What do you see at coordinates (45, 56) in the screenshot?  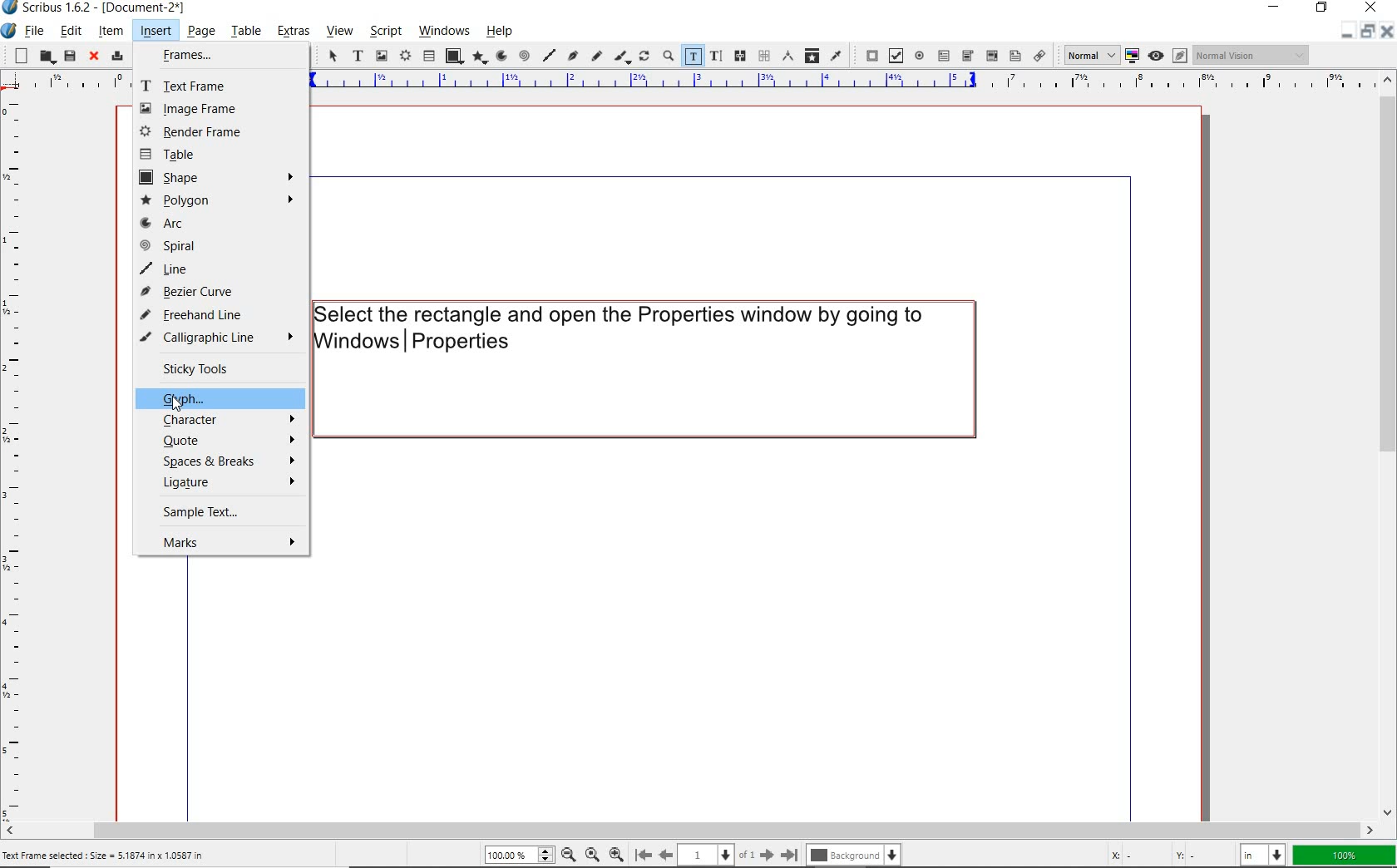 I see `open` at bounding box center [45, 56].